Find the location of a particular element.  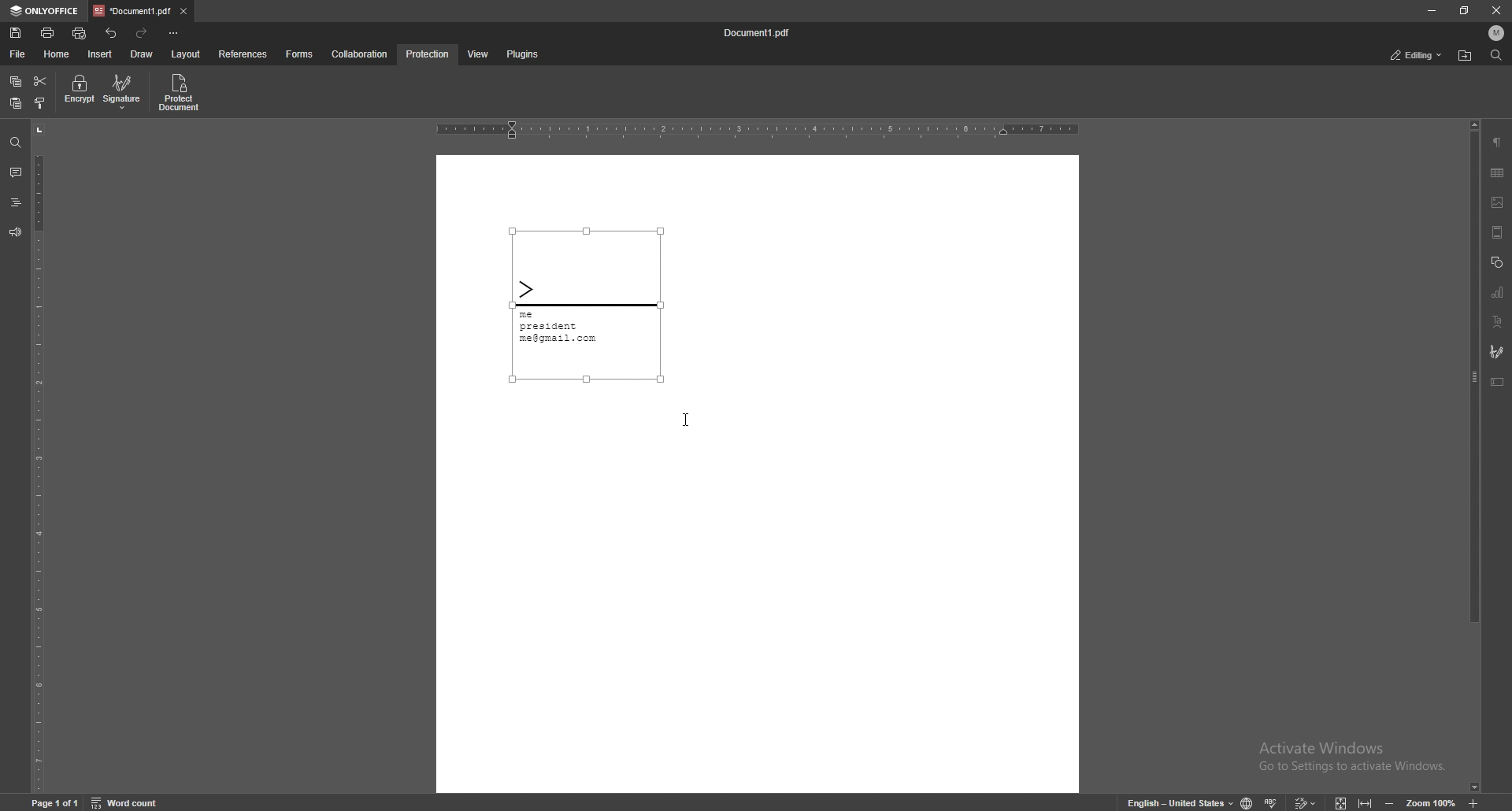

text art is located at coordinates (1497, 323).